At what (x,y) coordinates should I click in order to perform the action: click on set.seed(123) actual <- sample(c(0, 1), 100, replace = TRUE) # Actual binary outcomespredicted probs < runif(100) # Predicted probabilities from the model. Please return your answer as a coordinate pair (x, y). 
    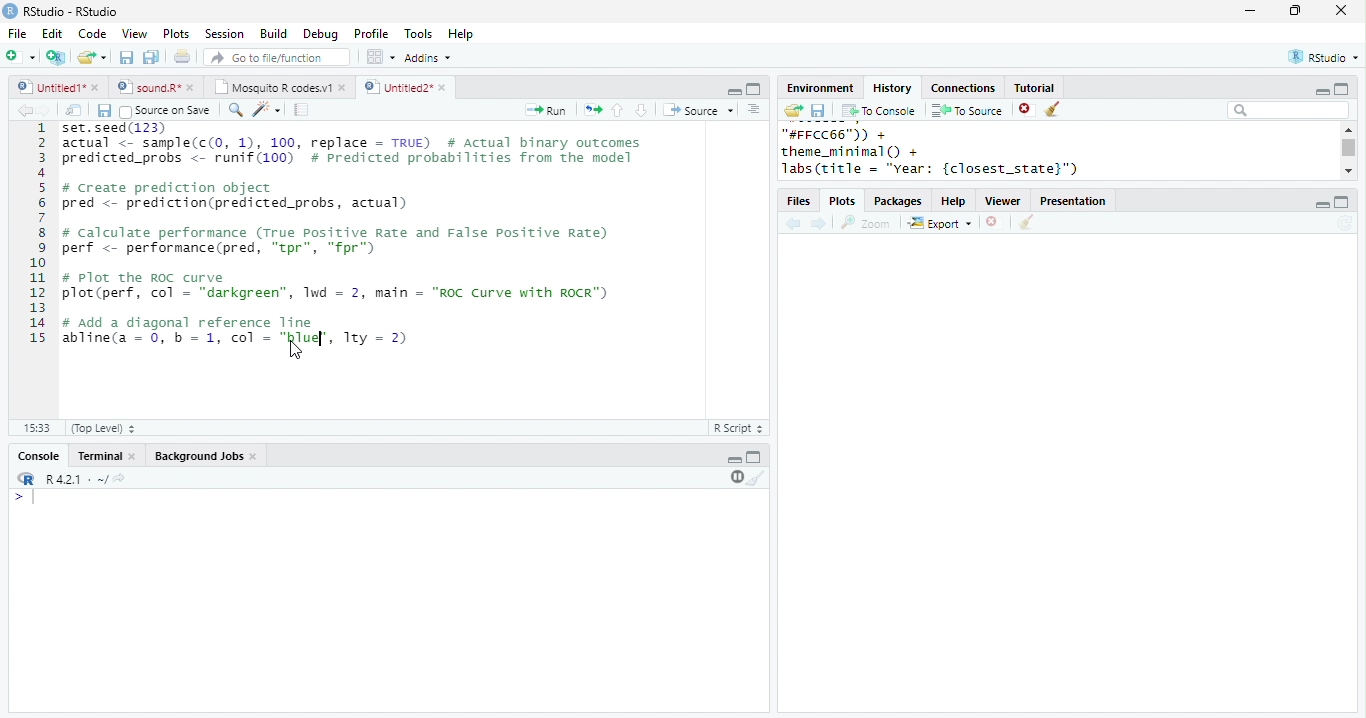
    Looking at the image, I should click on (355, 148).